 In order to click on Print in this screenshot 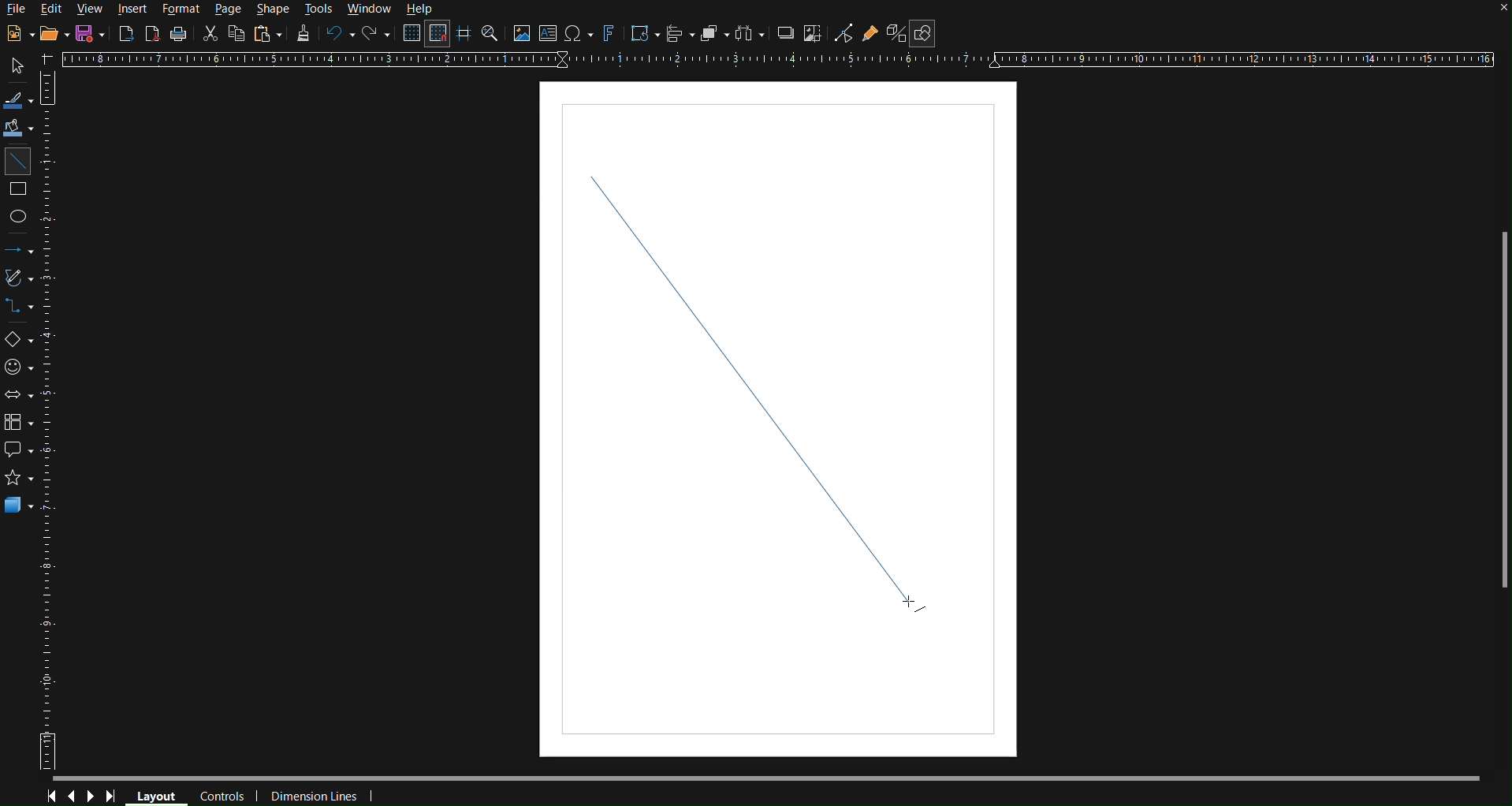, I will do `click(181, 34)`.